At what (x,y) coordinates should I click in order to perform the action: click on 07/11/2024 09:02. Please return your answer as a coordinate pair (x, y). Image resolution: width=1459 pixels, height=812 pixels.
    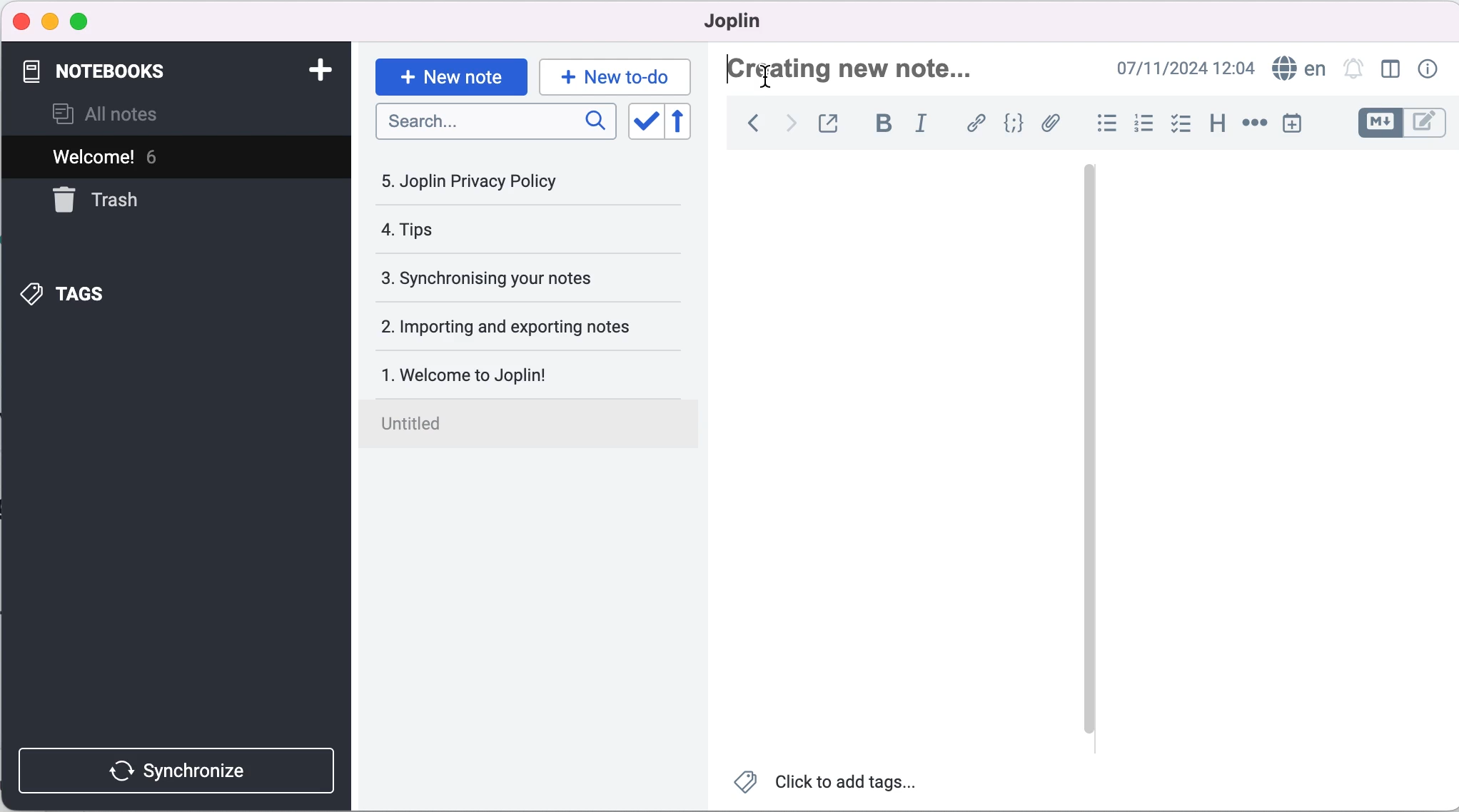
    Looking at the image, I should click on (1180, 68).